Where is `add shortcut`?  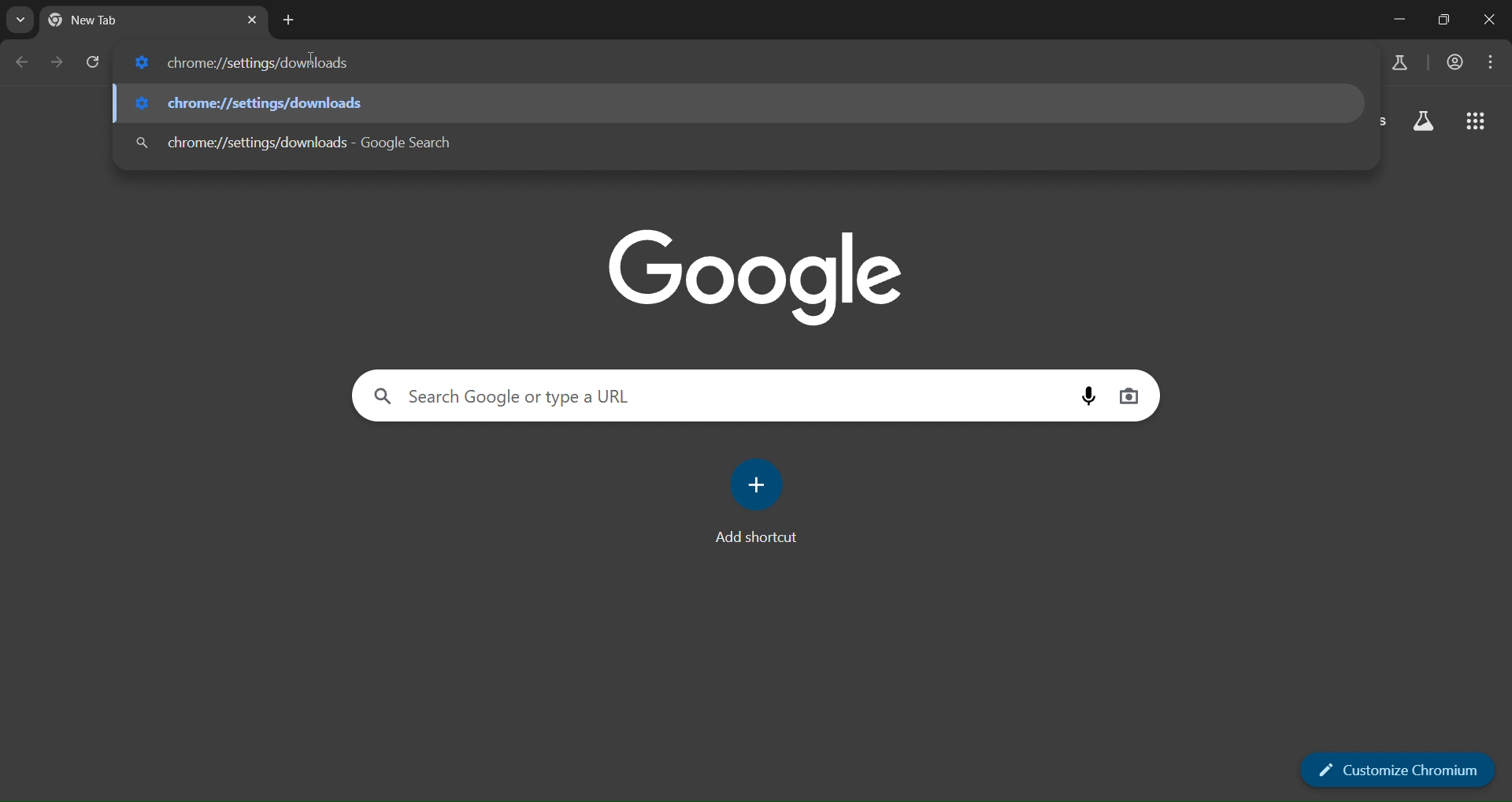
add shortcut is located at coordinates (761, 502).